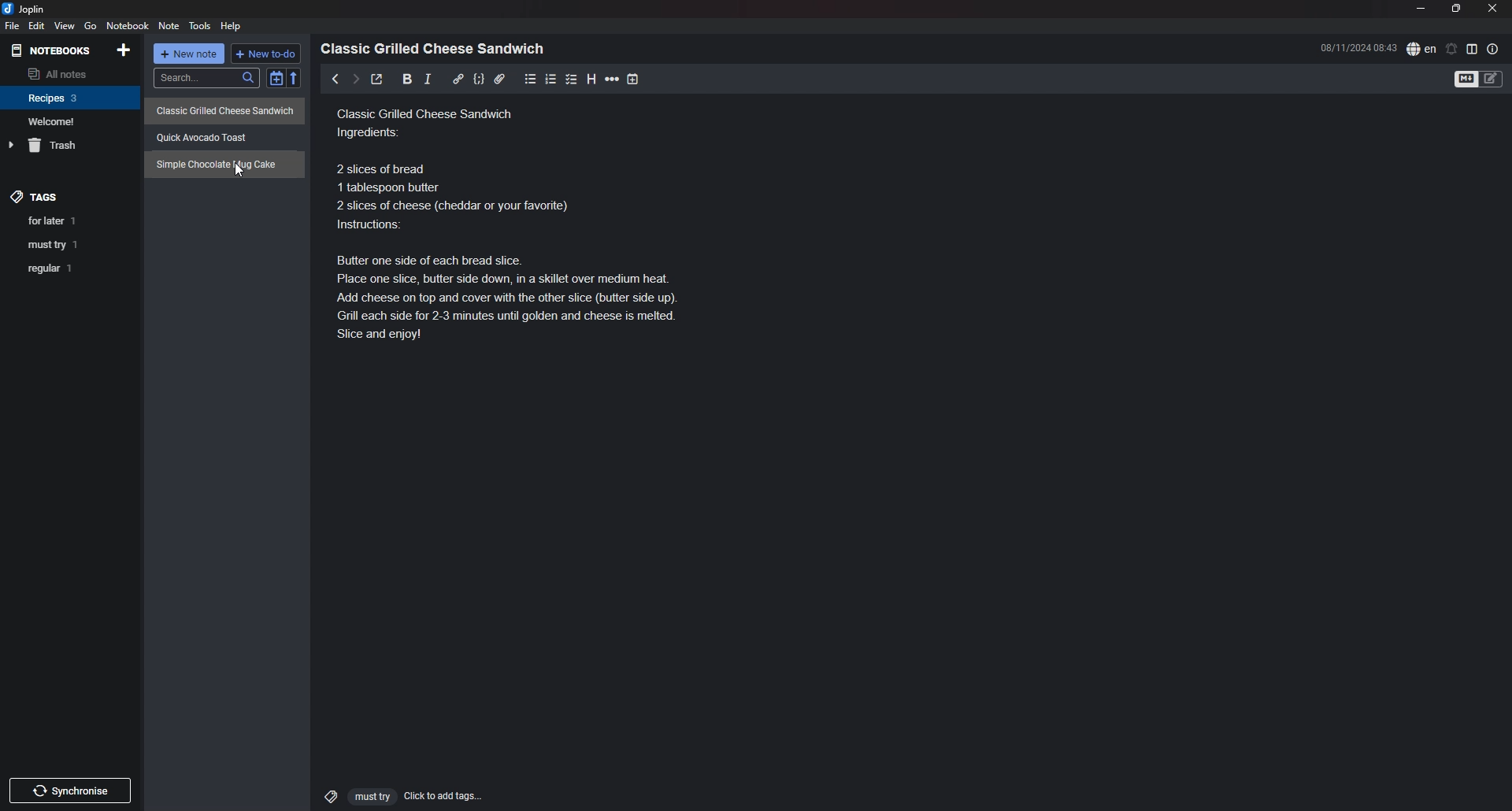  Describe the element at coordinates (72, 220) in the screenshot. I see `for later` at that location.